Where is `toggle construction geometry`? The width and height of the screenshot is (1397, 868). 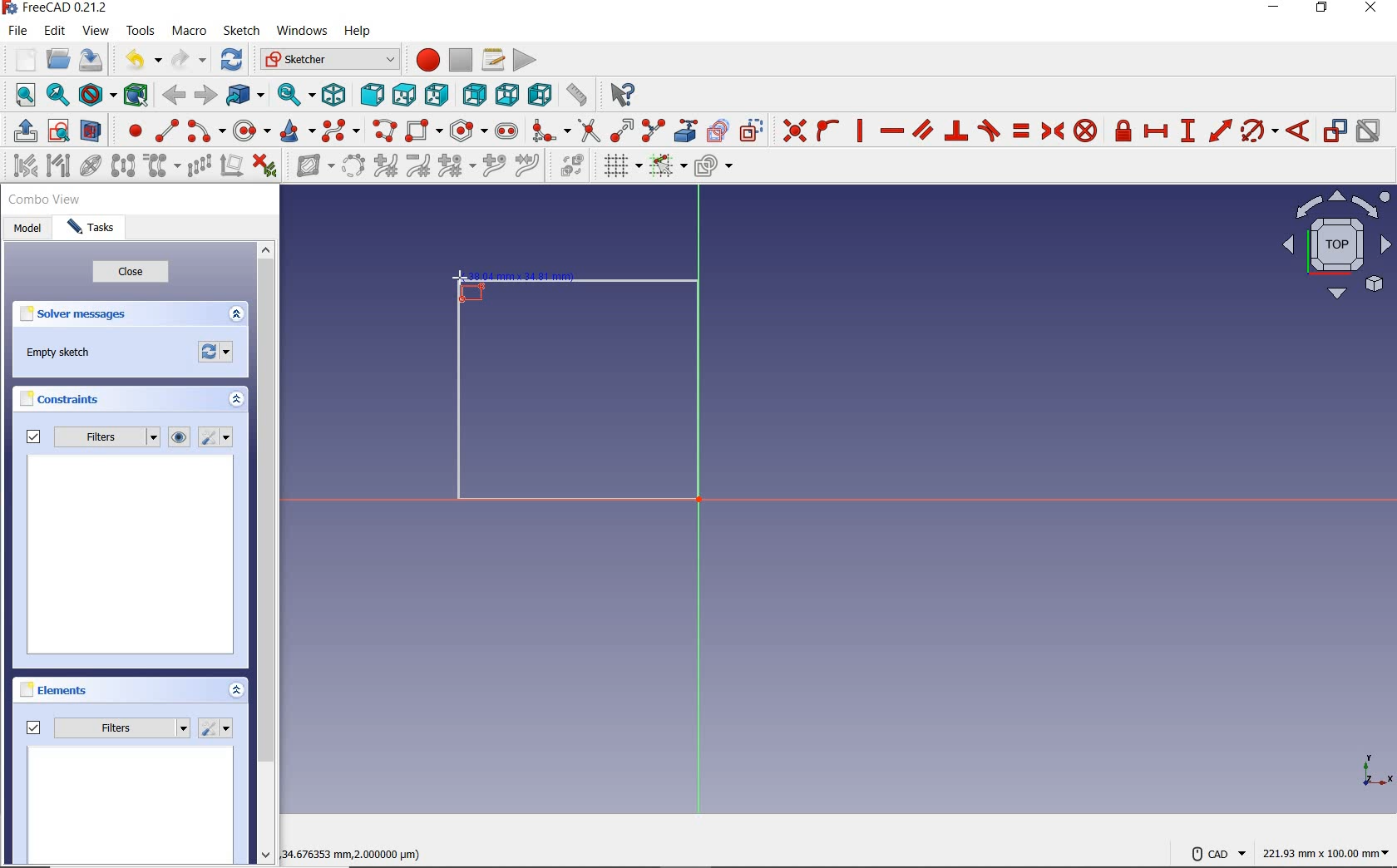 toggle construction geometry is located at coordinates (753, 131).